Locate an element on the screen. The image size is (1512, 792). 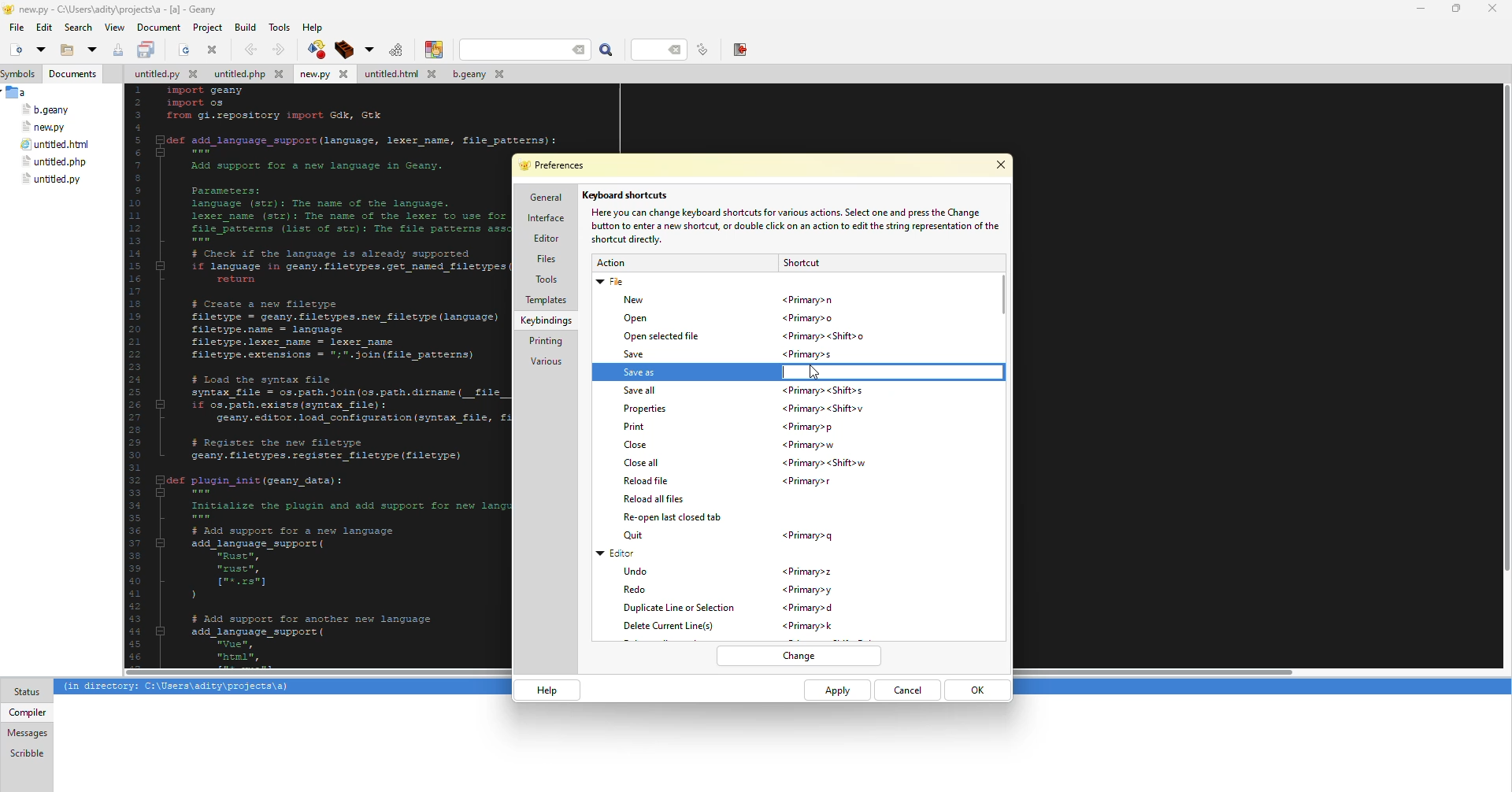
help is located at coordinates (313, 27).